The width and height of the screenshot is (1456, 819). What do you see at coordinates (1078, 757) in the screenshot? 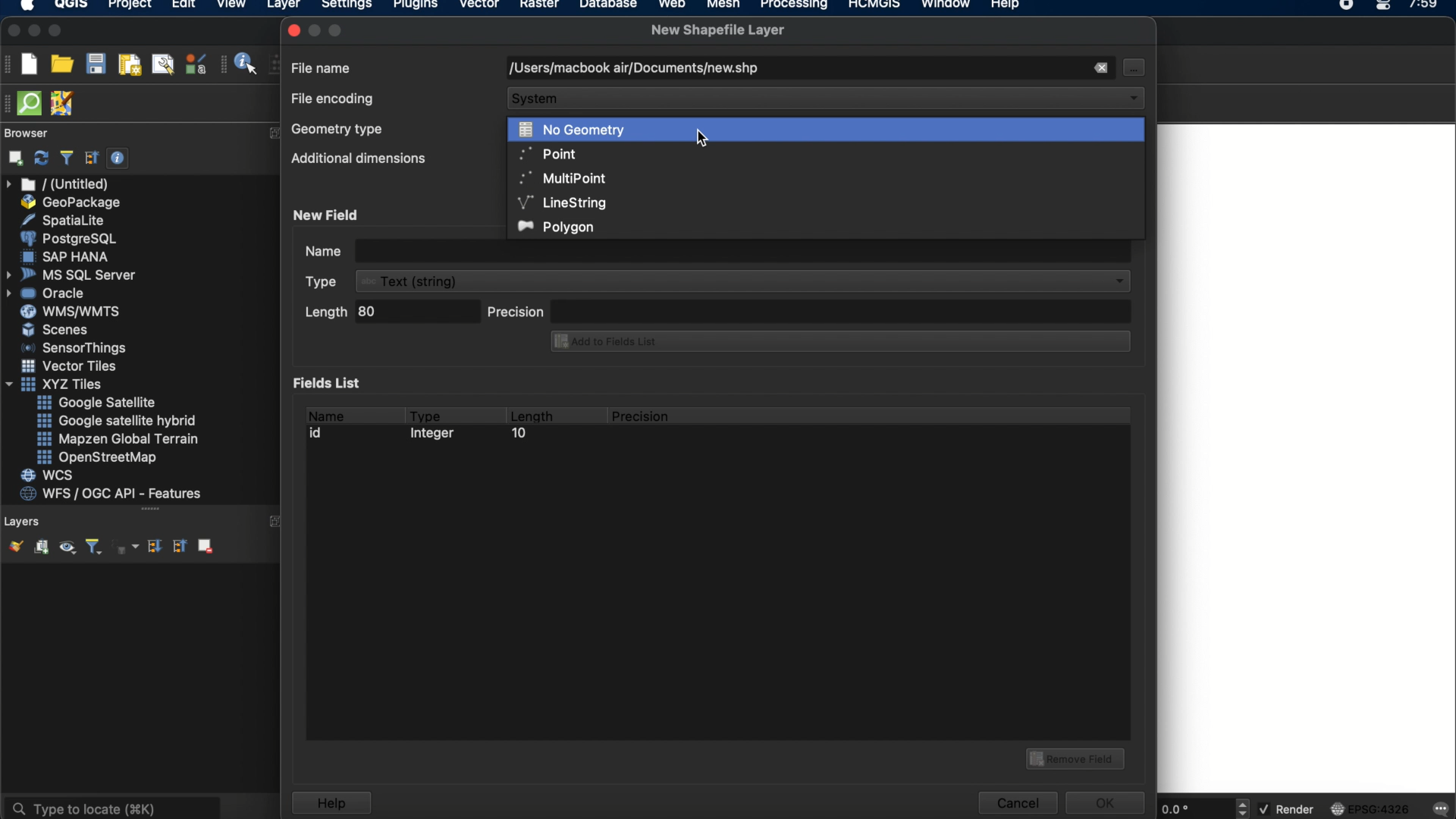
I see `remove field` at bounding box center [1078, 757].